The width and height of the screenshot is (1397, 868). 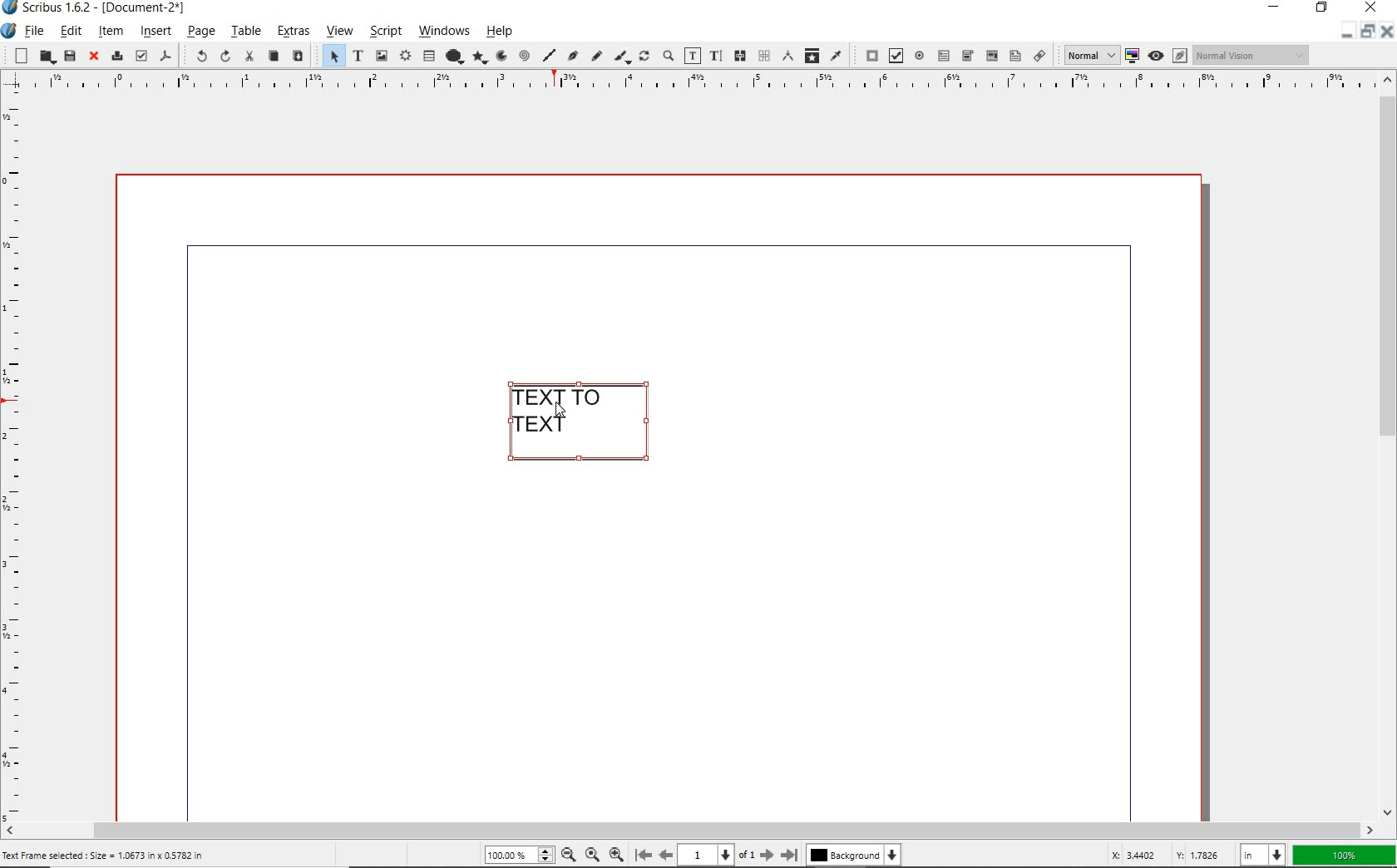 I want to click on calligraphic line, so click(x=623, y=56).